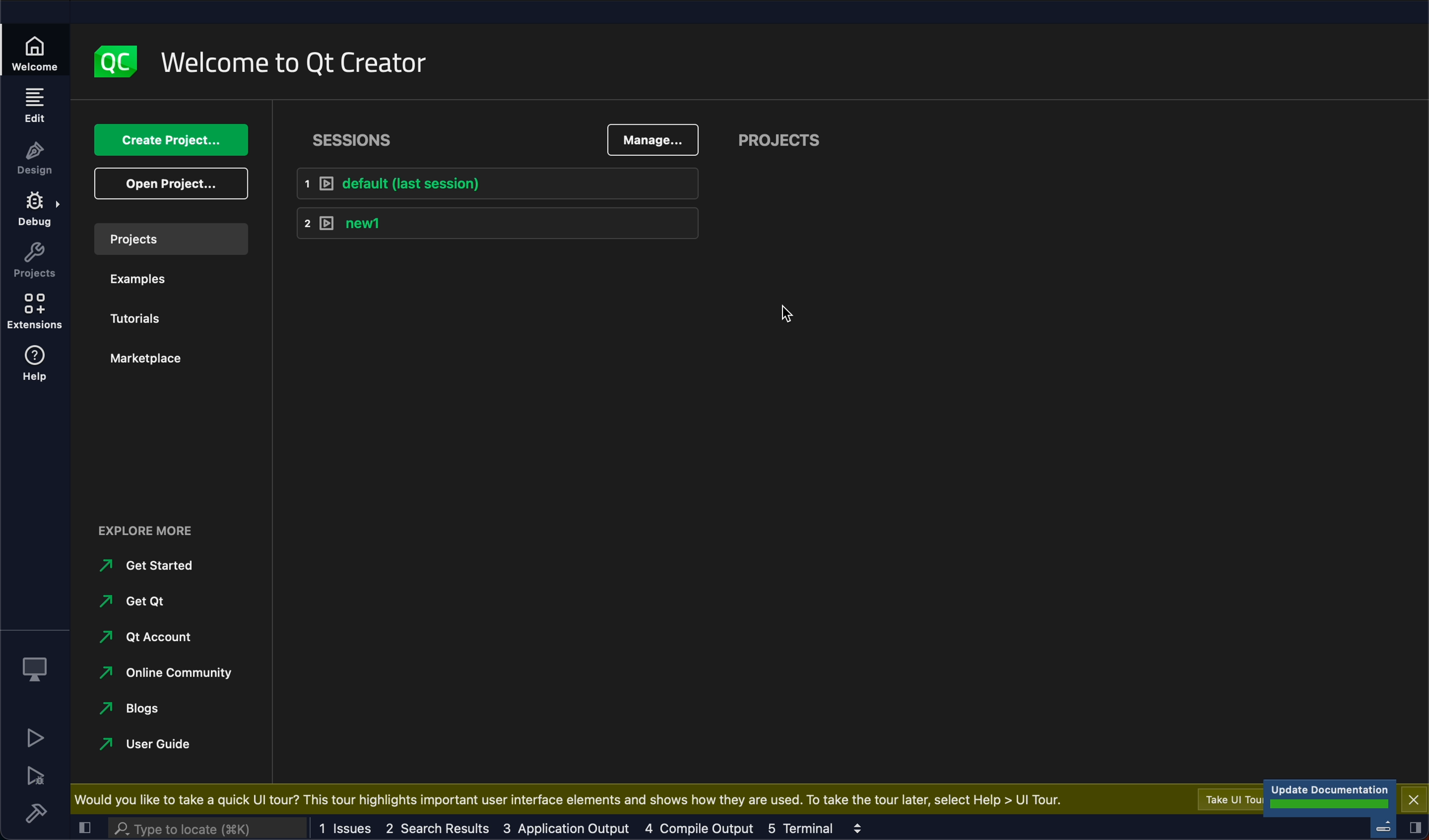 This screenshot has width=1429, height=840. Describe the element at coordinates (36, 52) in the screenshot. I see `welcome` at that location.